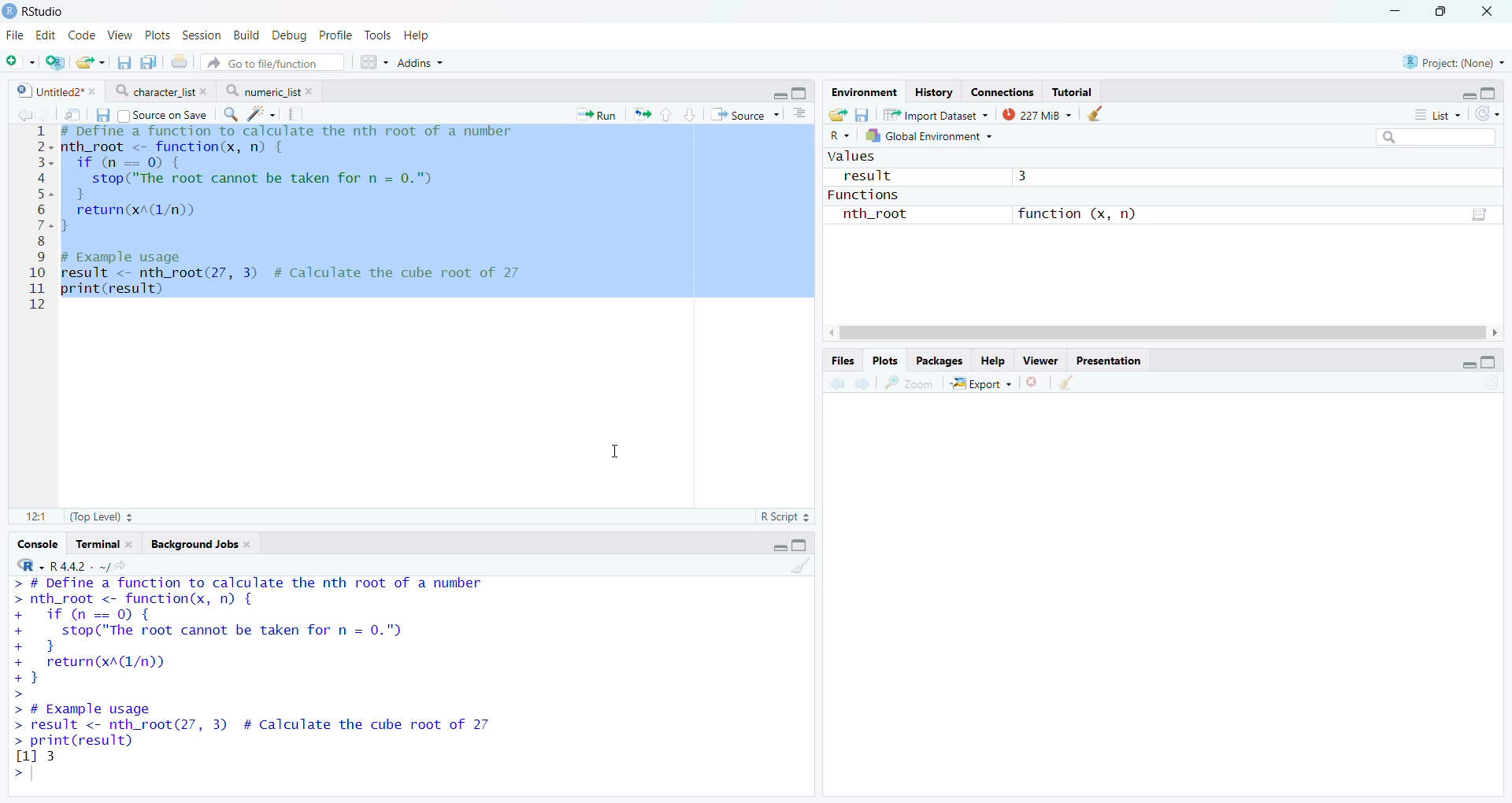 This screenshot has width=1512, height=803. Describe the element at coordinates (786, 517) in the screenshot. I see `R Script` at that location.